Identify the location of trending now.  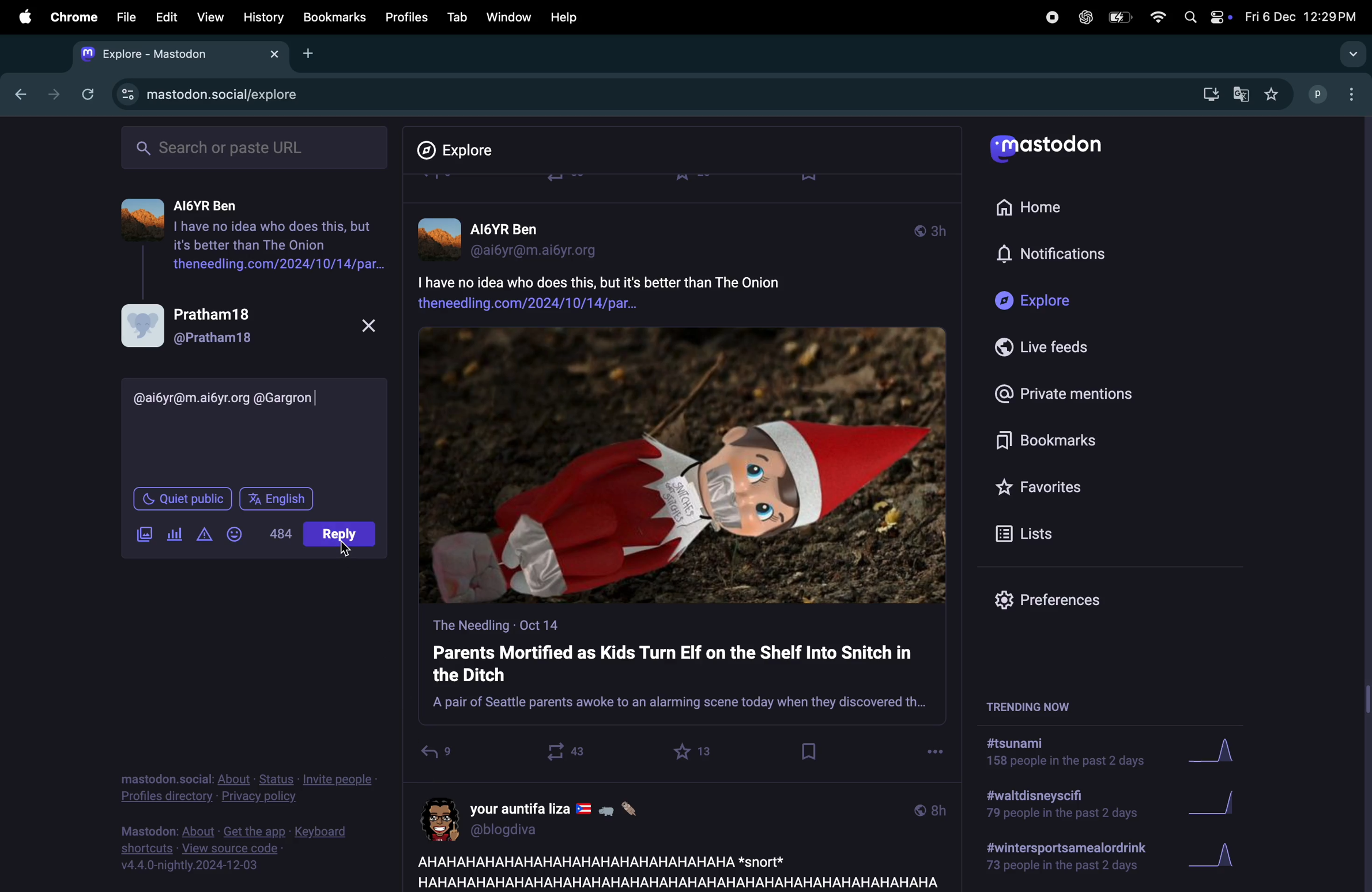
(1042, 705).